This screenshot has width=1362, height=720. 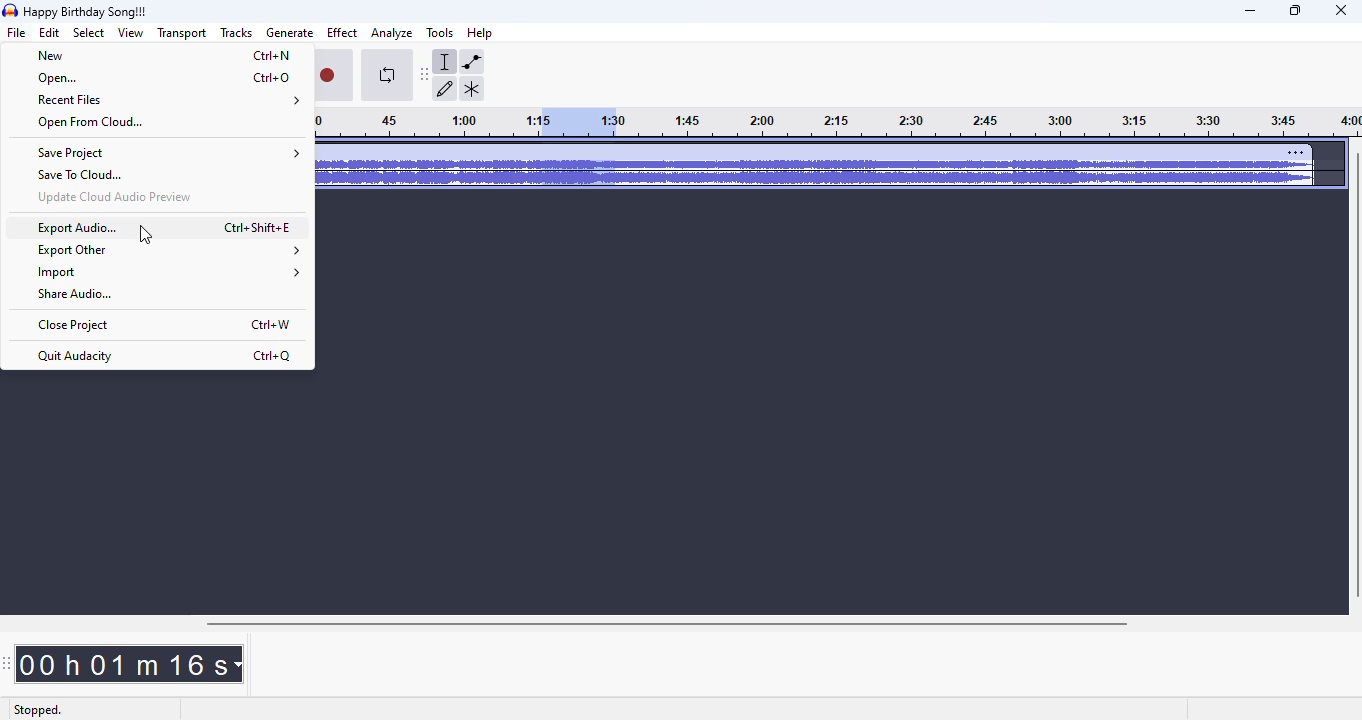 What do you see at coordinates (80, 174) in the screenshot?
I see `save to cloud` at bounding box center [80, 174].